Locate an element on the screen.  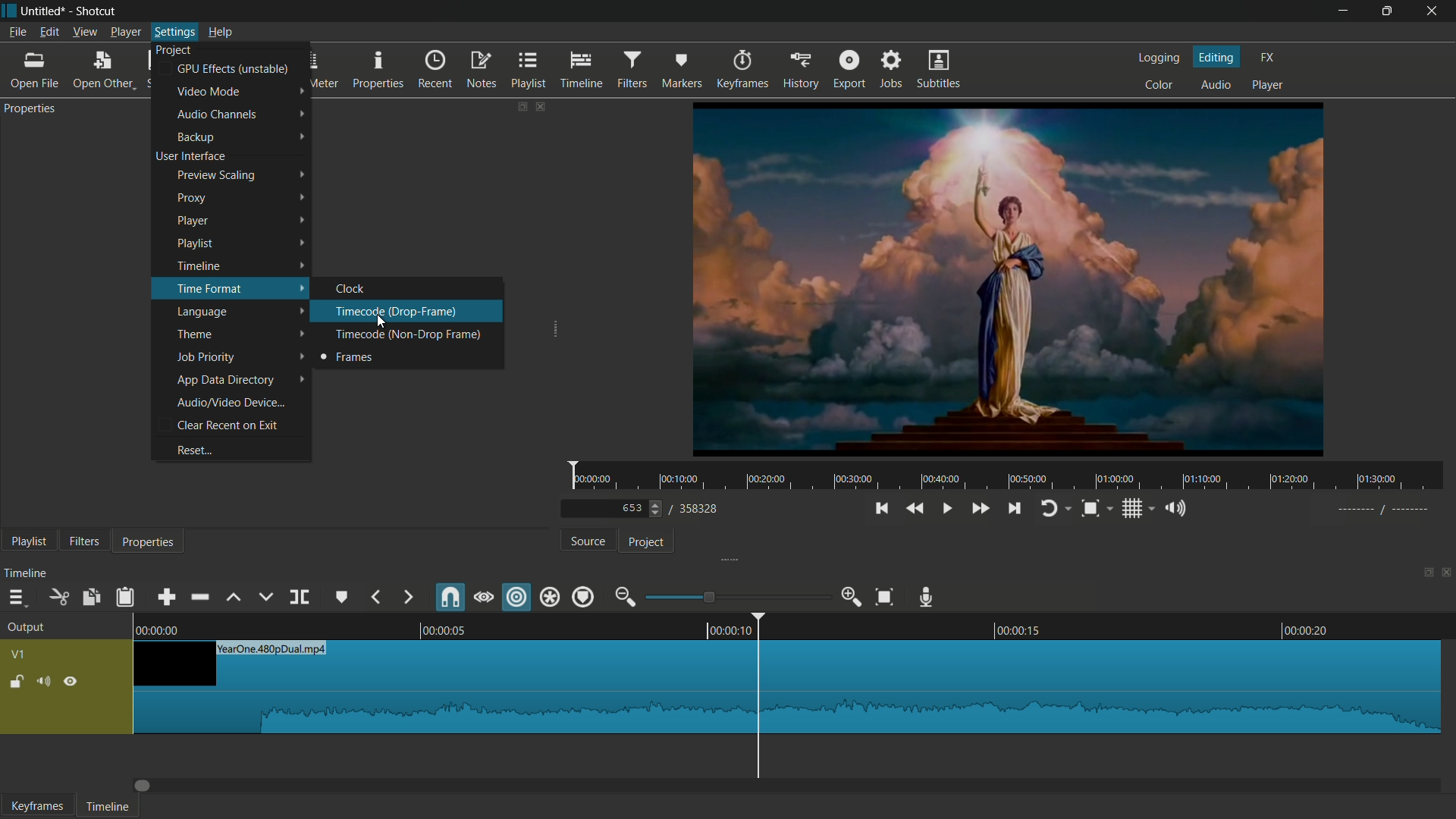
video in timeline is located at coordinates (790, 689).